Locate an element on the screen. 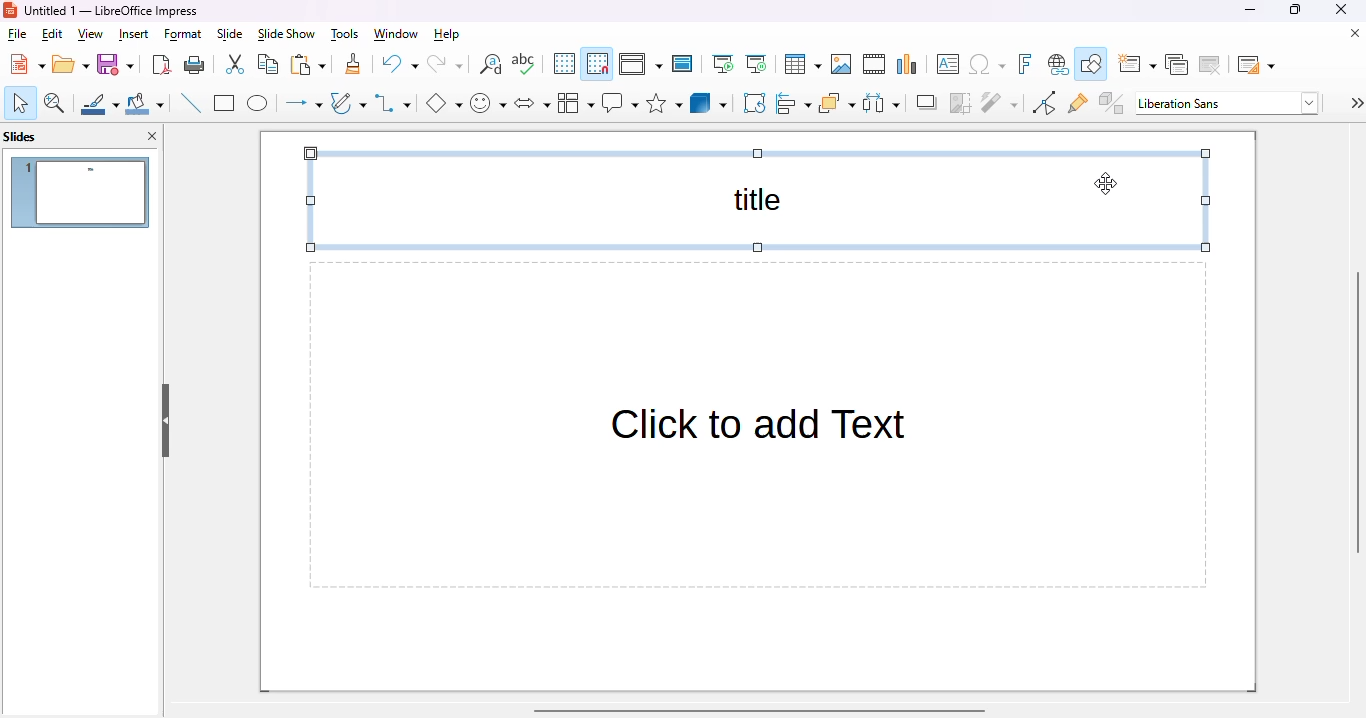  lines and arrows is located at coordinates (302, 104).